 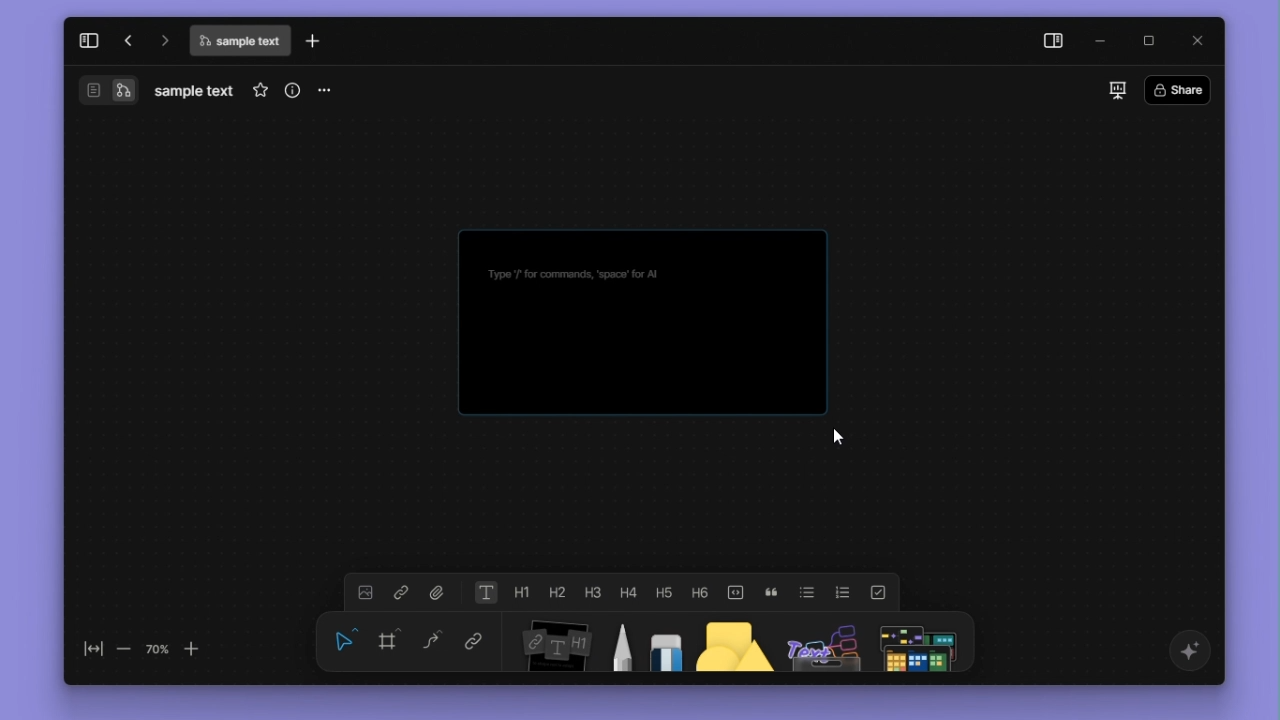 I want to click on fit to screen, so click(x=88, y=650).